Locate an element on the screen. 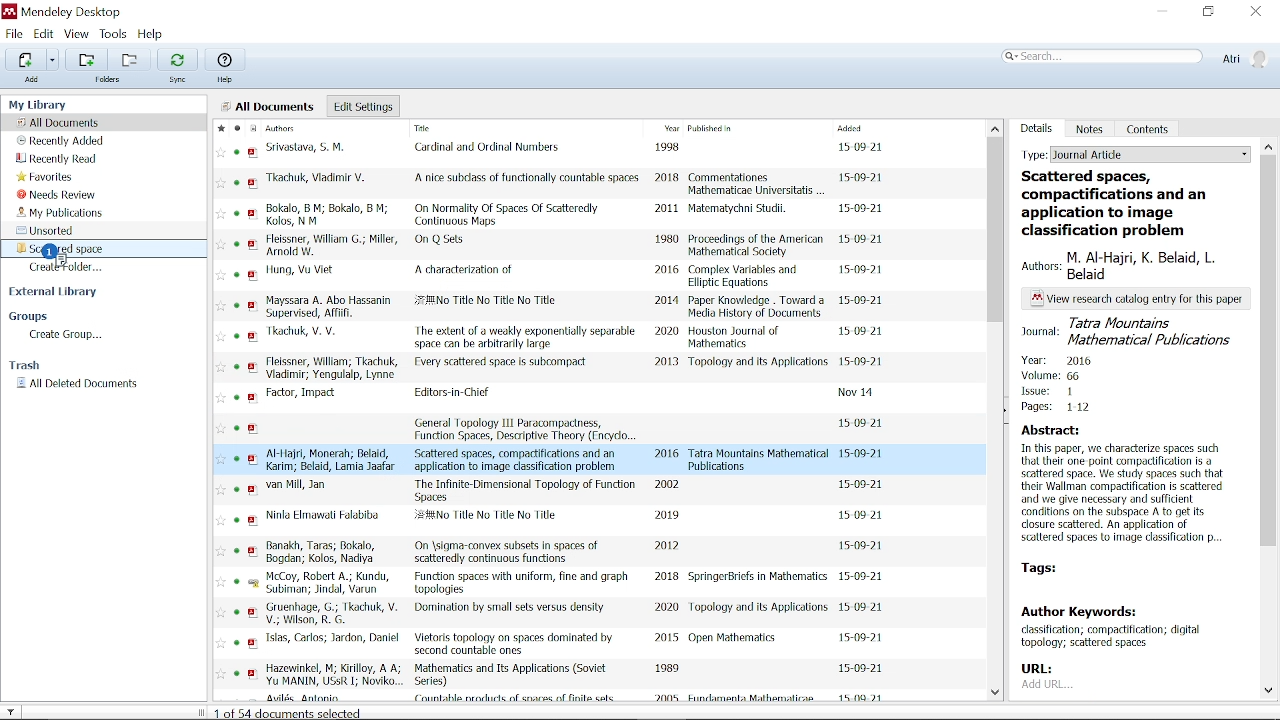 The image size is (1280, 720). File is located at coordinates (14, 33).